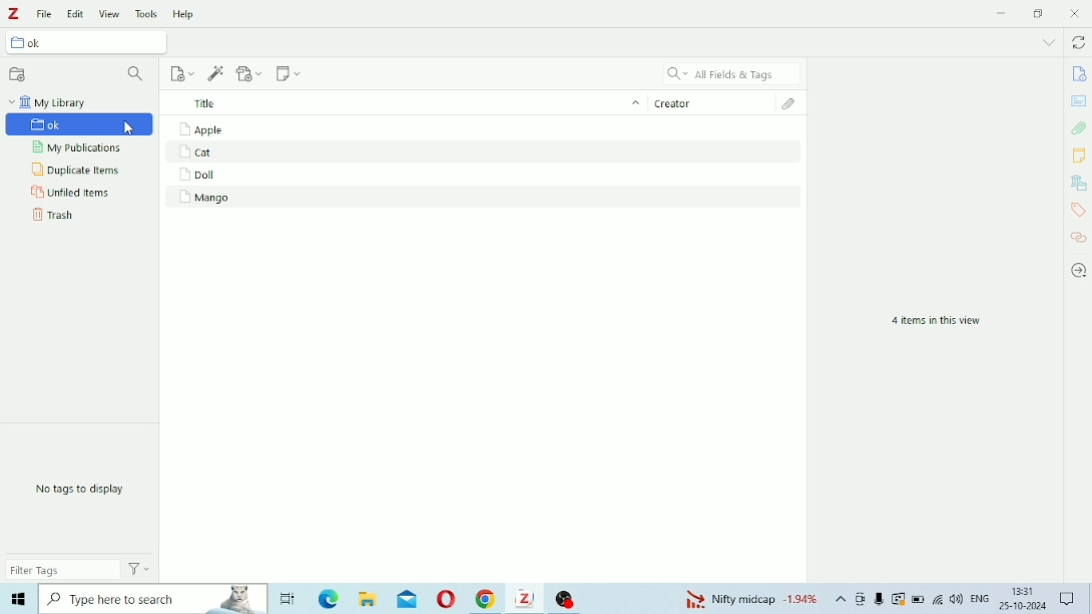 The width and height of the screenshot is (1092, 614). I want to click on ok, so click(87, 41).